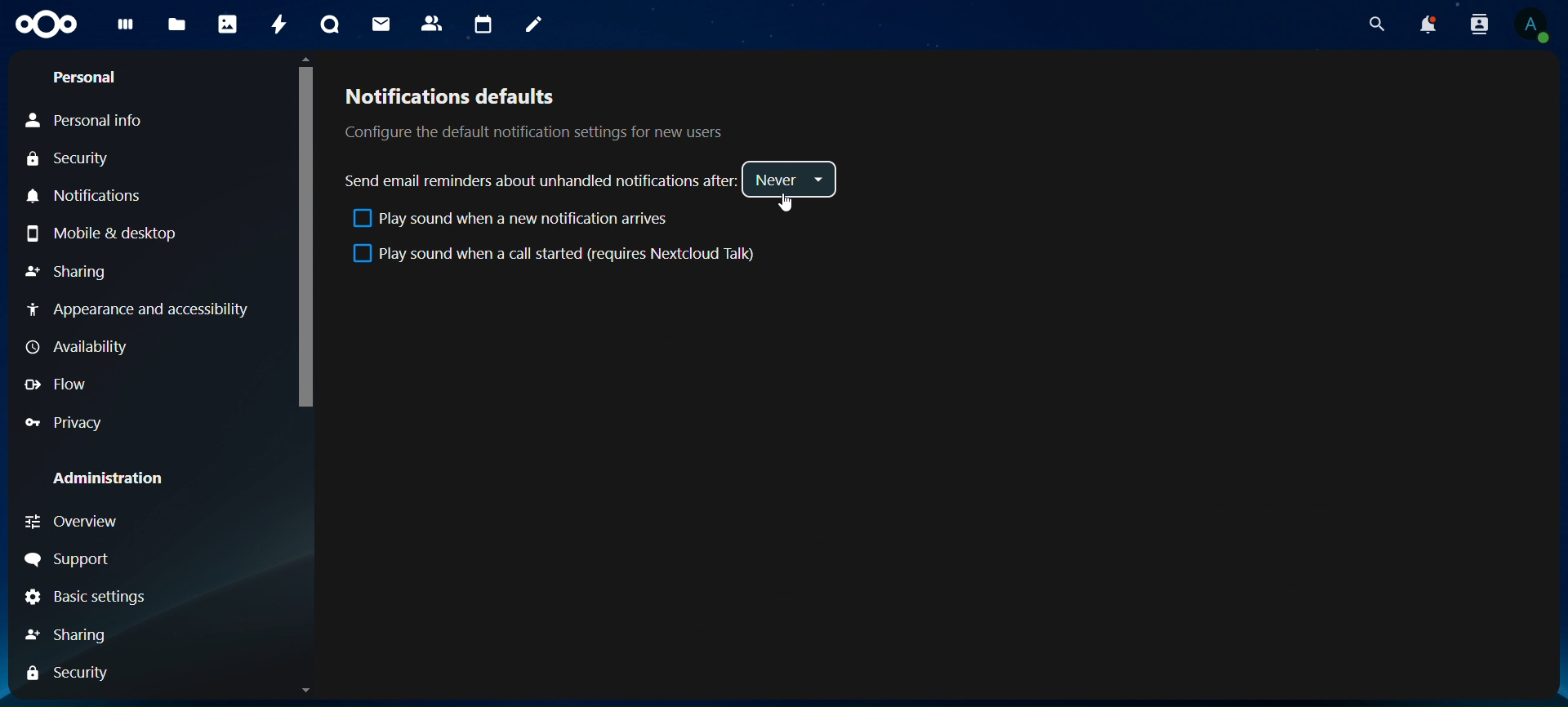 The height and width of the screenshot is (707, 1568). Describe the element at coordinates (278, 27) in the screenshot. I see `activity` at that location.